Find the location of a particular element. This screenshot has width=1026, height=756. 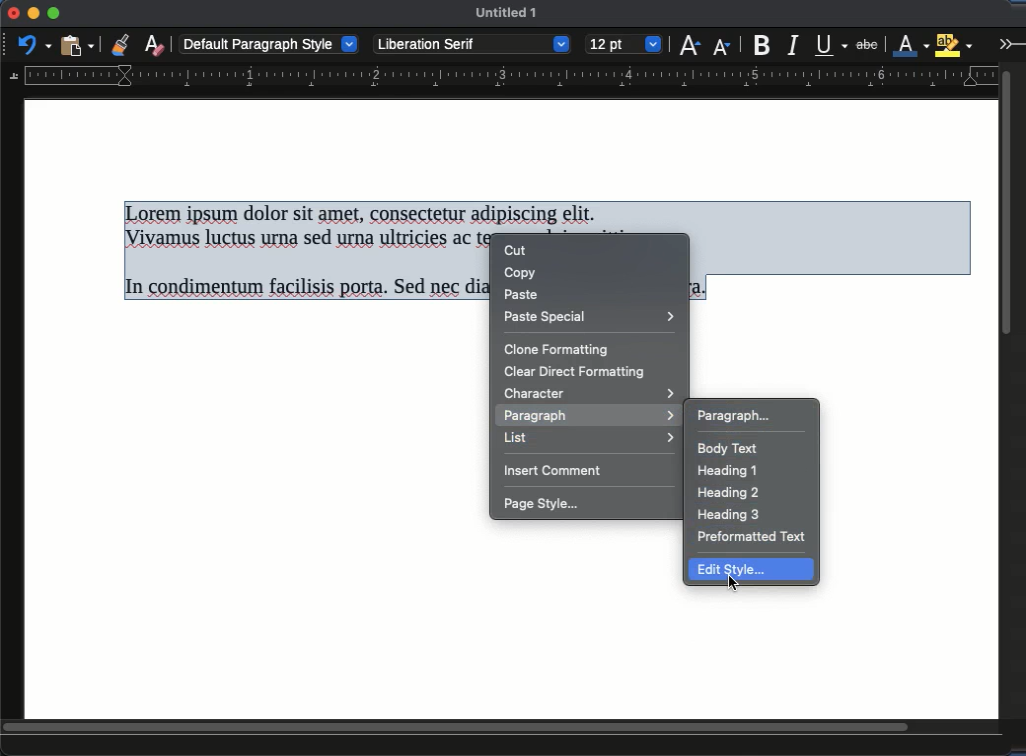

minimize is located at coordinates (33, 13).